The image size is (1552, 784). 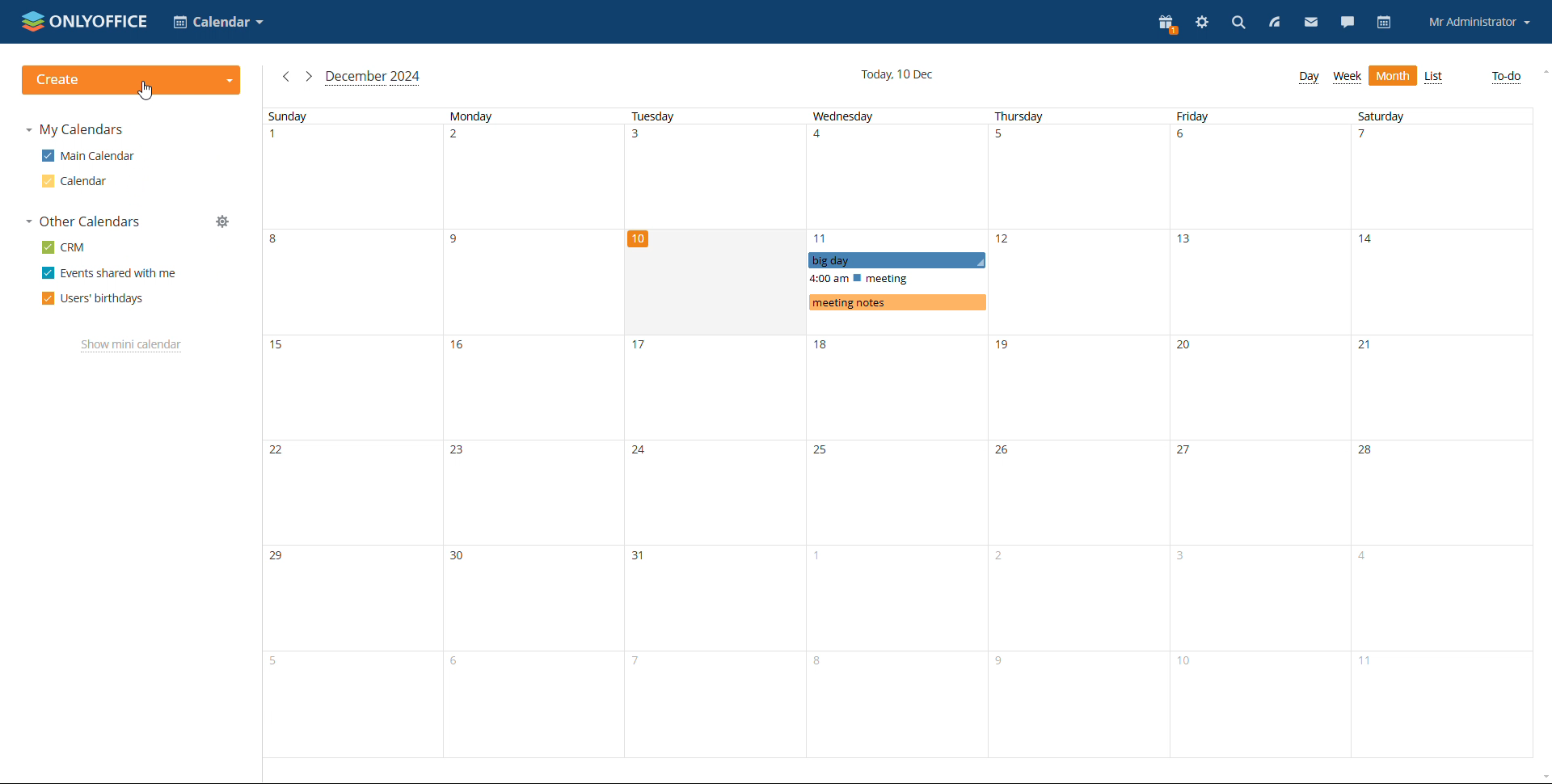 What do you see at coordinates (1508, 77) in the screenshot?
I see `to-do` at bounding box center [1508, 77].